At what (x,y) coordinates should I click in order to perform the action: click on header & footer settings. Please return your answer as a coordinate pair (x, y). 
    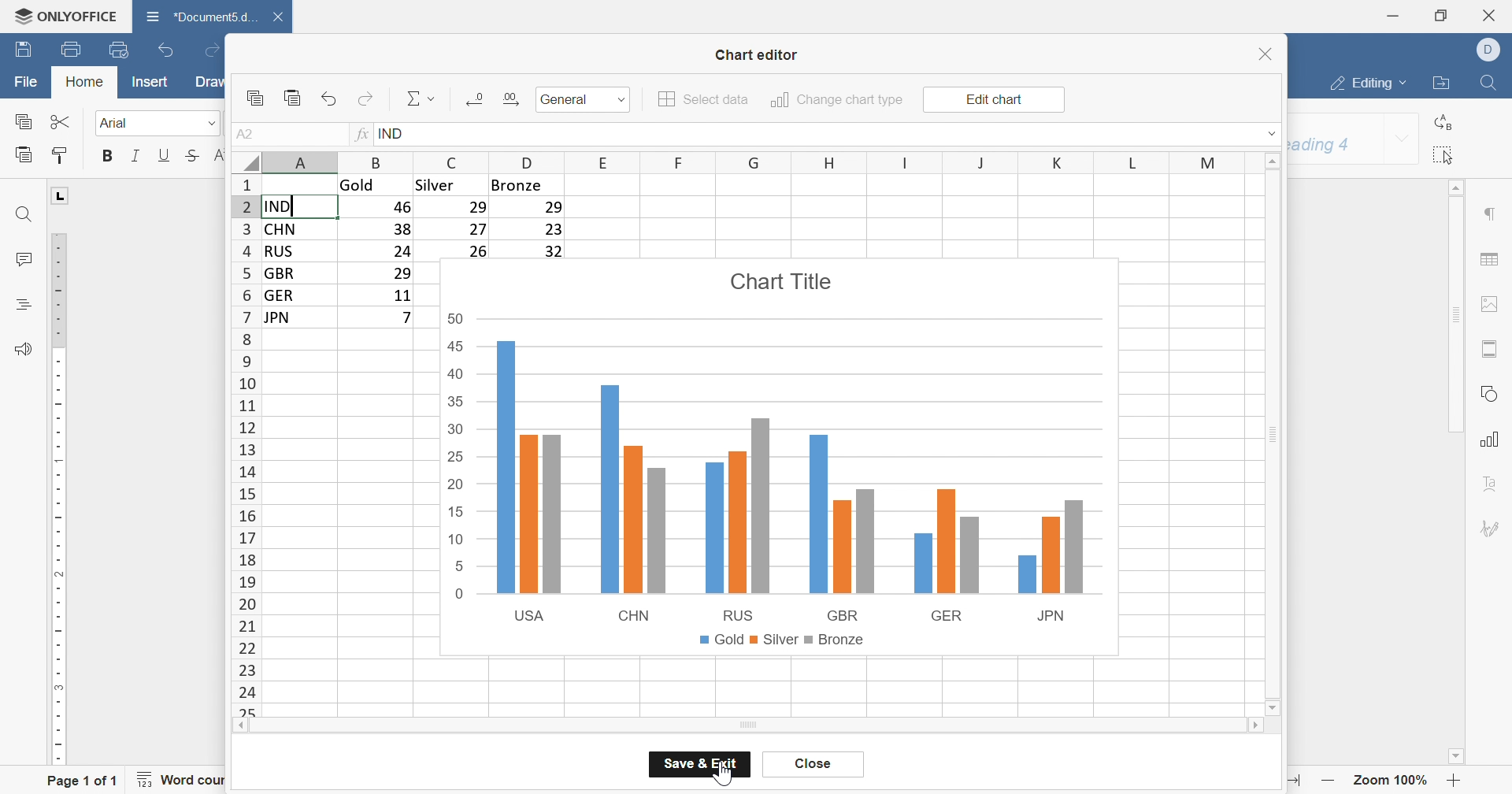
    Looking at the image, I should click on (1492, 350).